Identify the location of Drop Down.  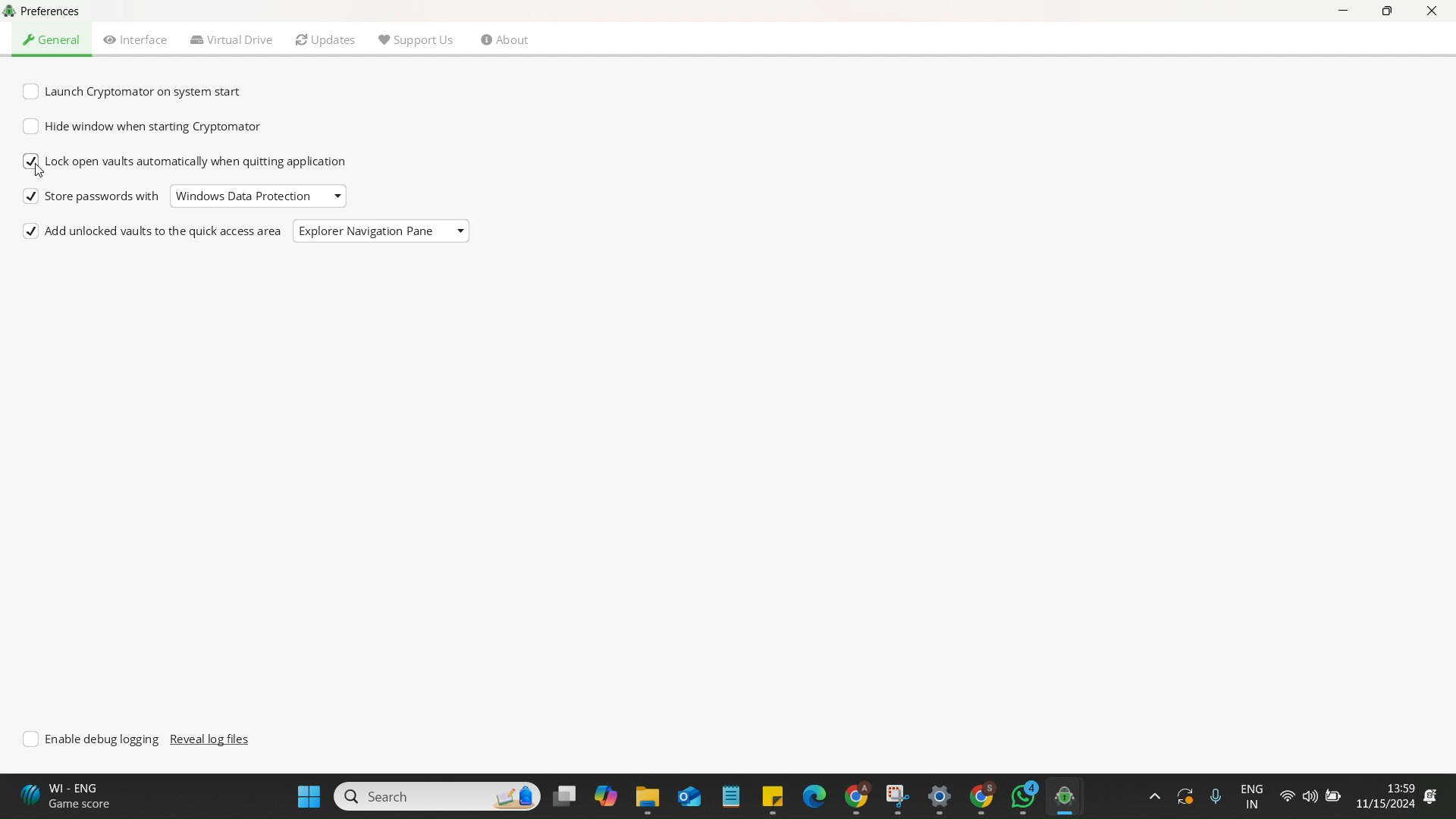
(340, 193).